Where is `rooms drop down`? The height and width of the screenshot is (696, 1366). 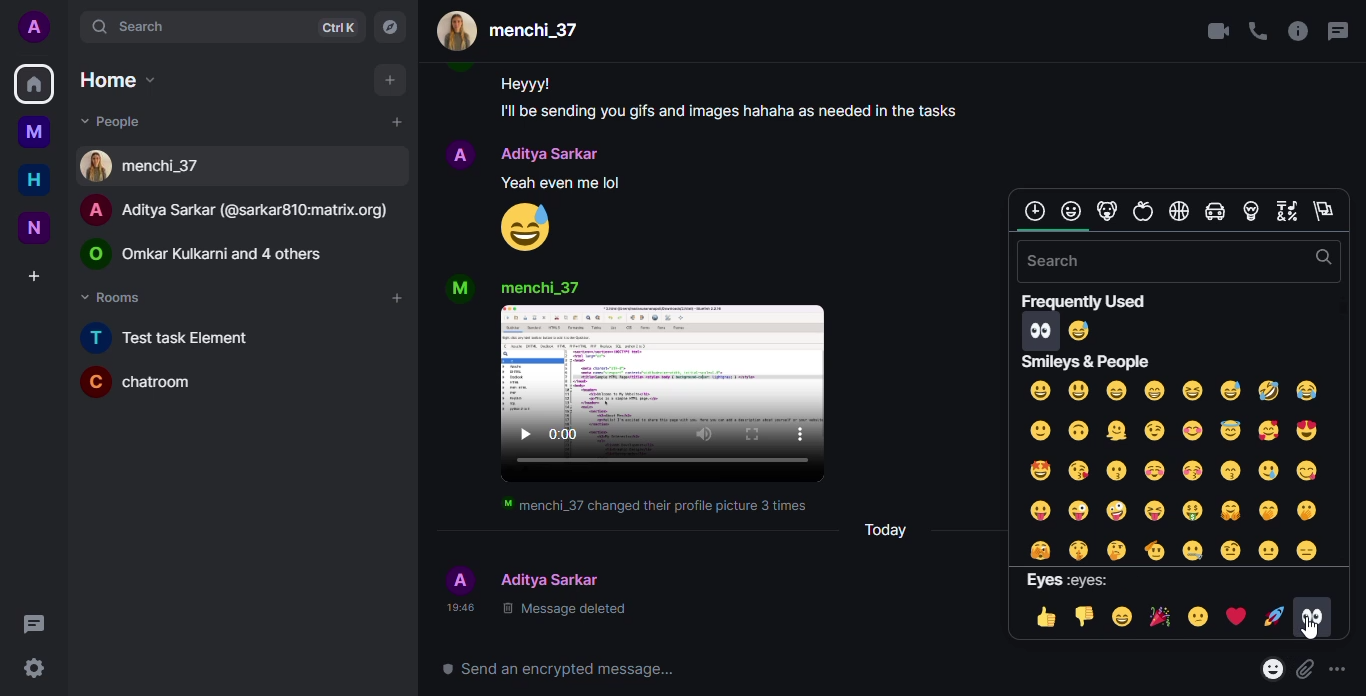
rooms drop down is located at coordinates (115, 297).